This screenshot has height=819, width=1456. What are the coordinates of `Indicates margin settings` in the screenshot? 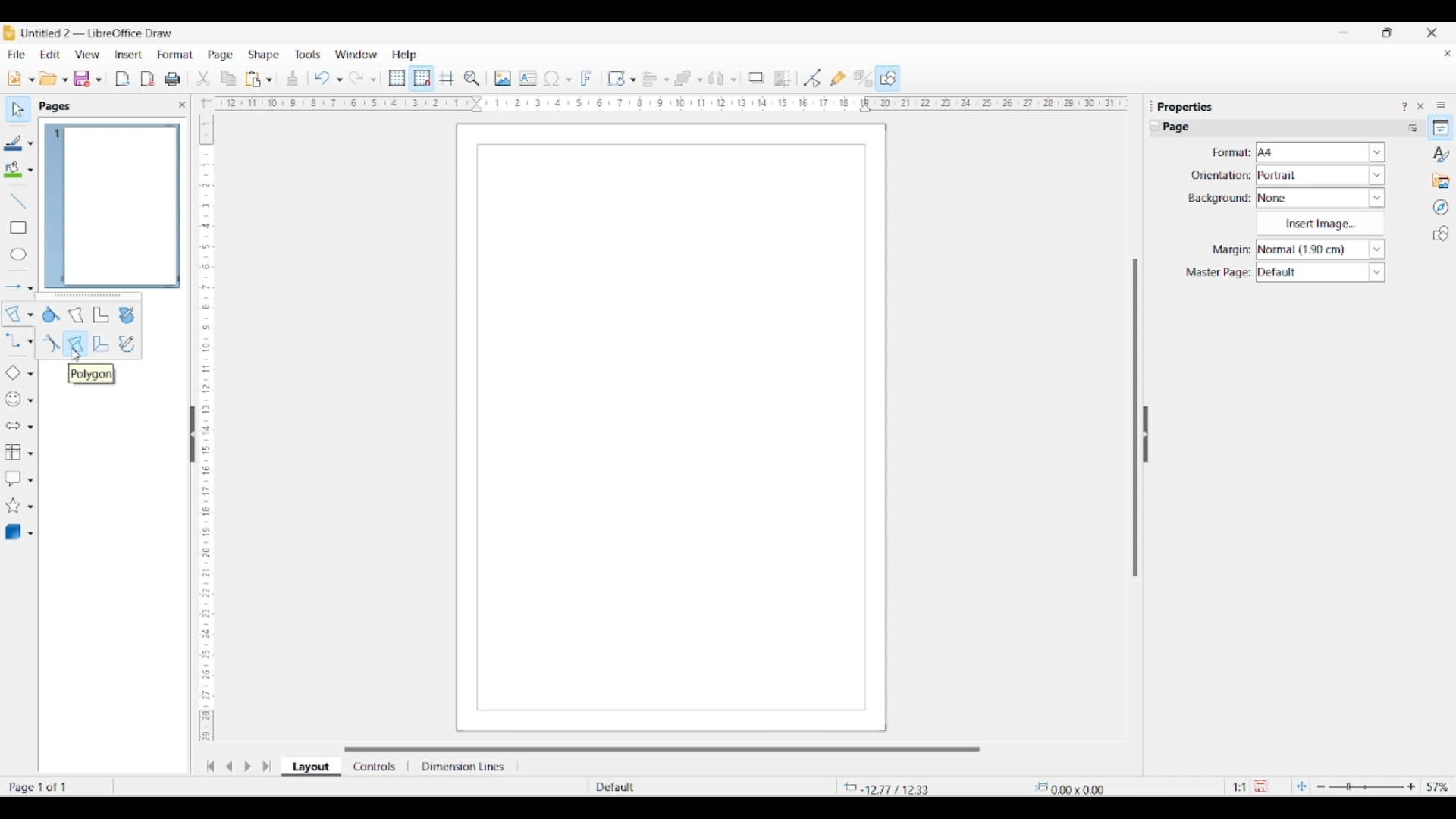 It's located at (1229, 250).